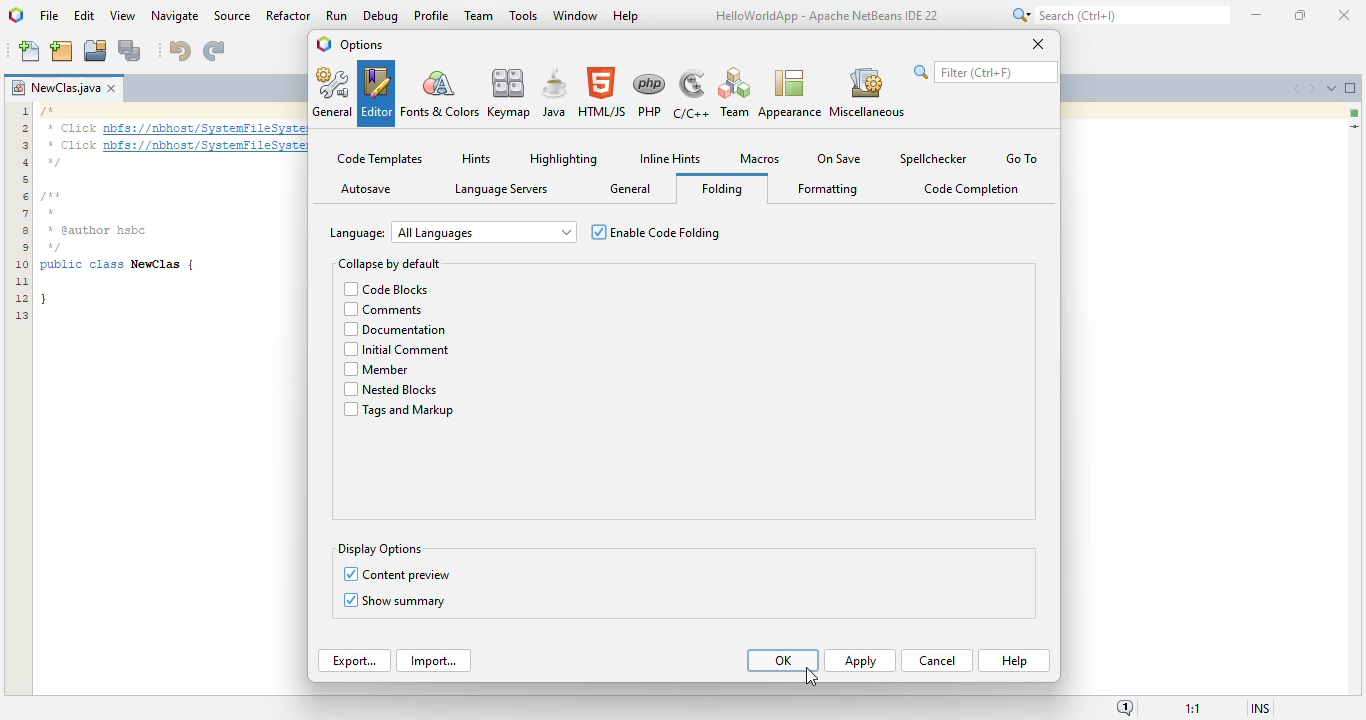  Describe the element at coordinates (1298, 88) in the screenshot. I see `scroll documents left` at that location.